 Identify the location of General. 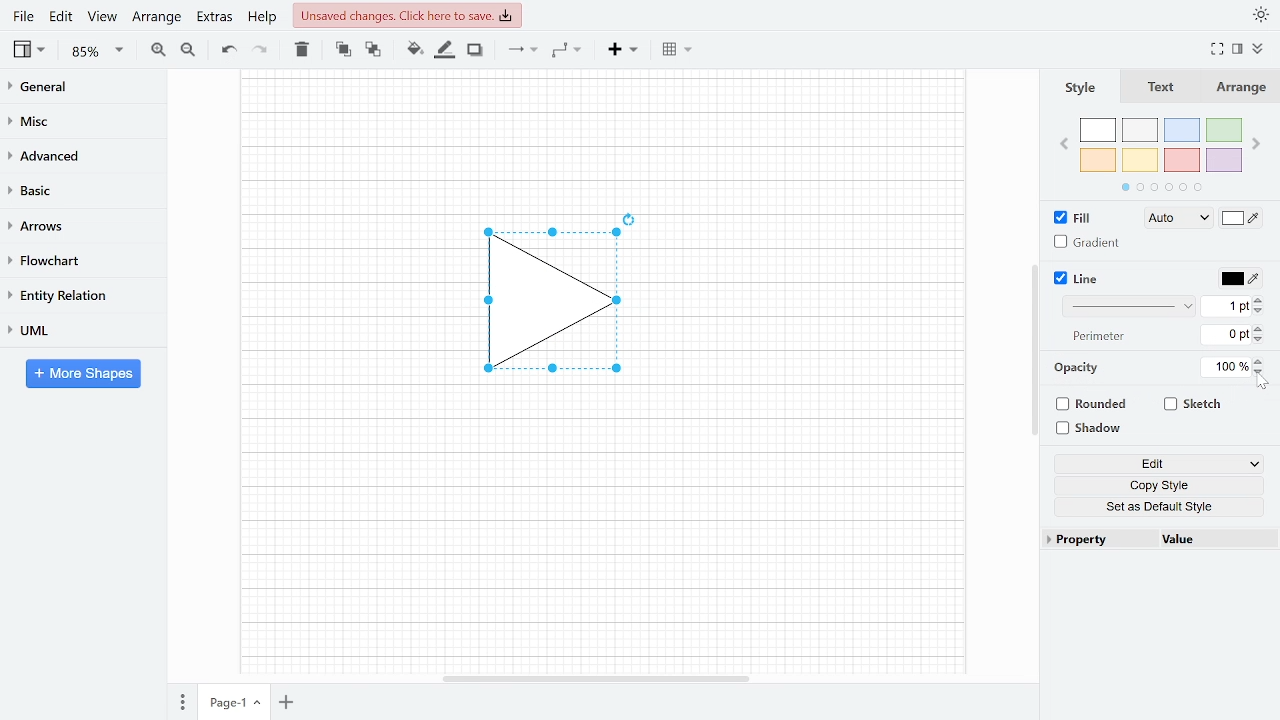
(76, 89).